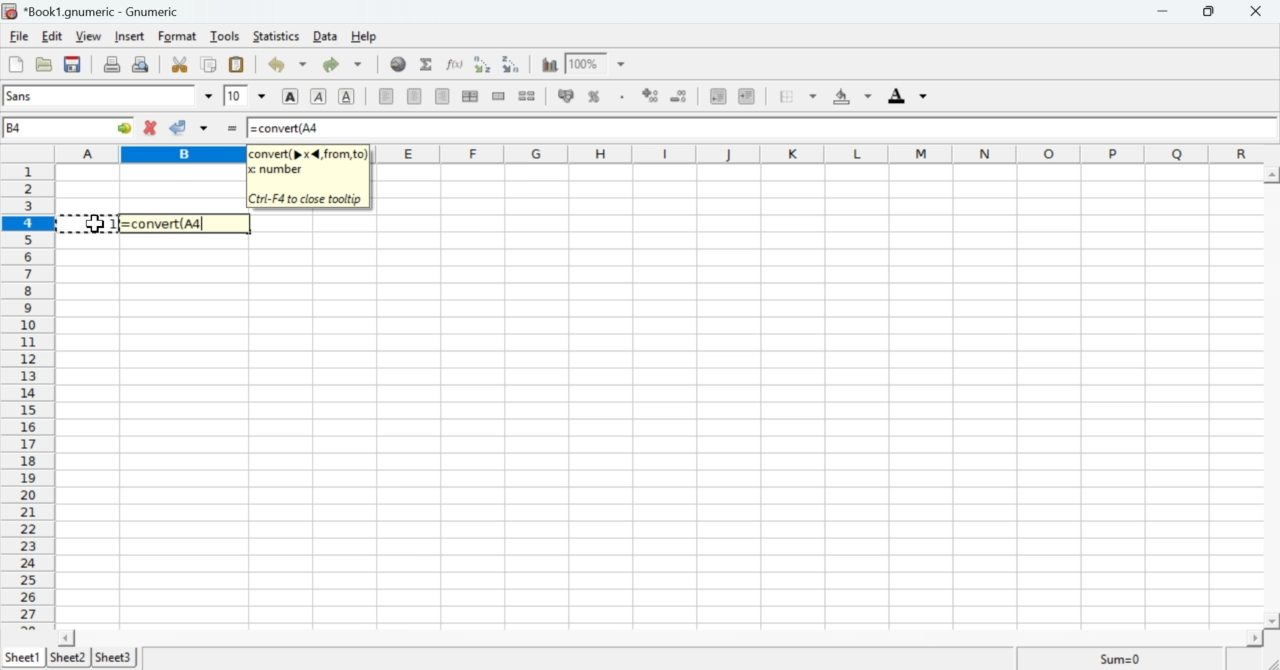 The width and height of the screenshot is (1280, 670). I want to click on Underline, so click(350, 97).